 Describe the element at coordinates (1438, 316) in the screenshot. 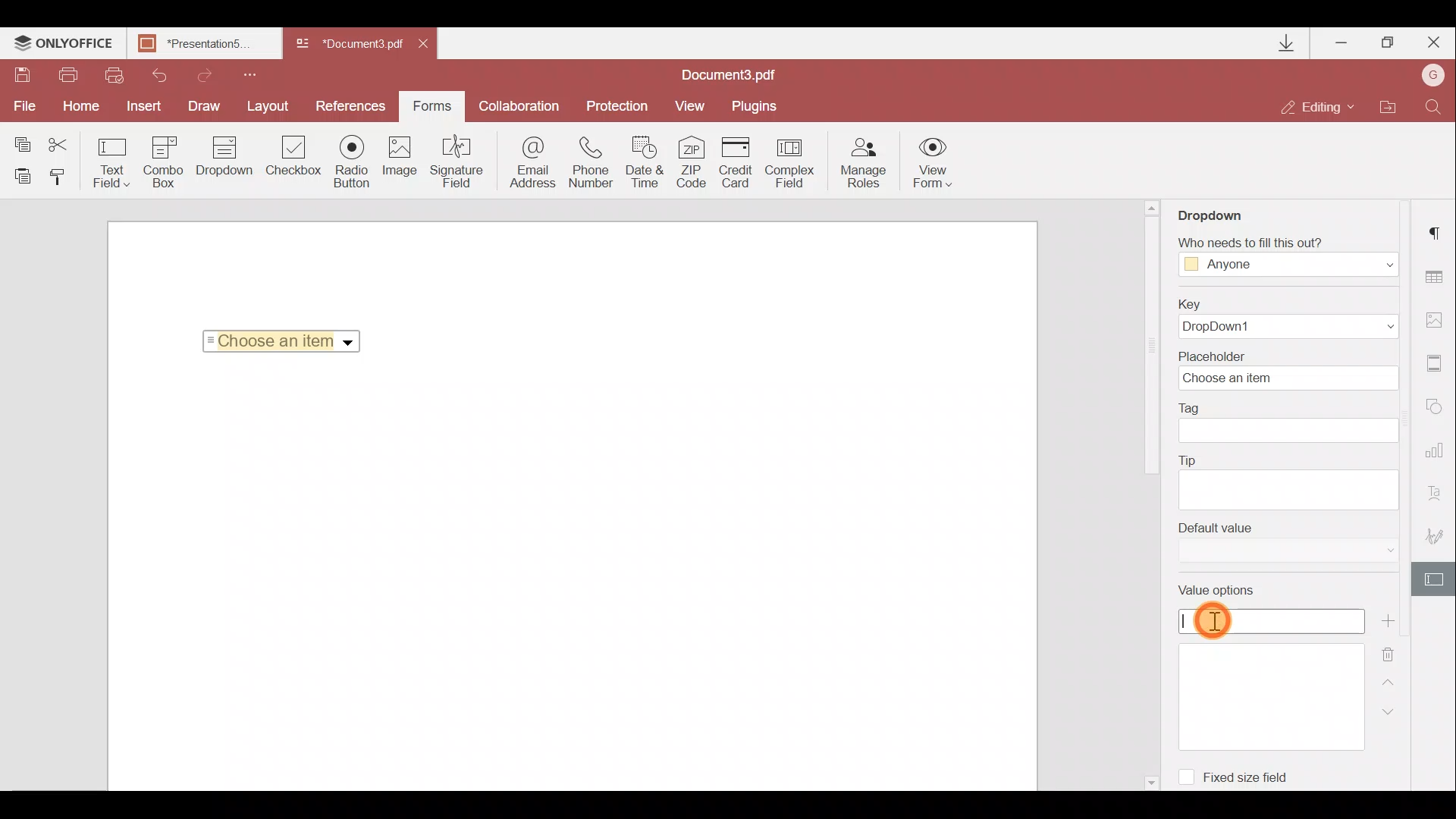

I see `Image settings` at that location.